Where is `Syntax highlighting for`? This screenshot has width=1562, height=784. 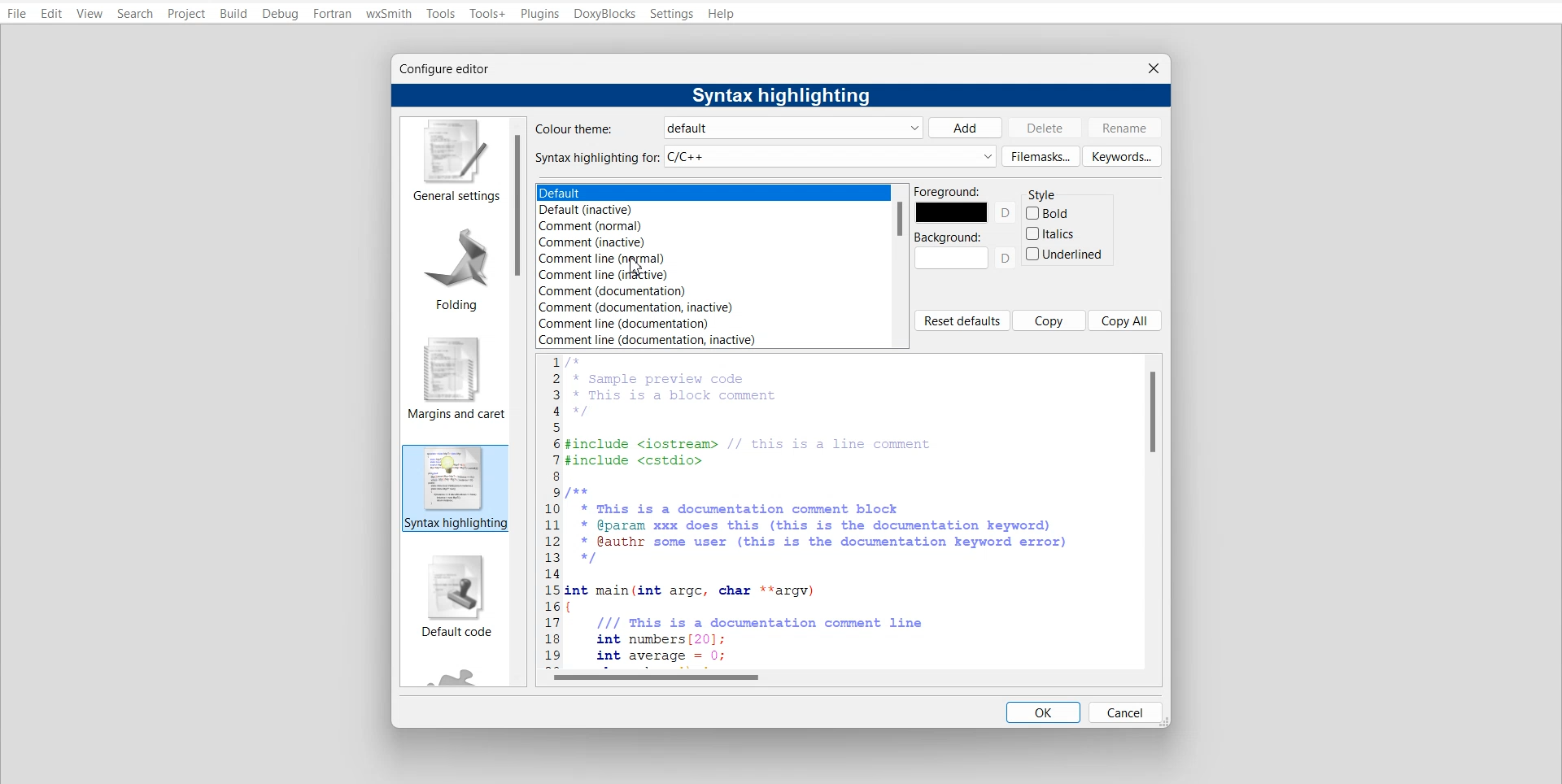
Syntax highlighting for is located at coordinates (765, 156).